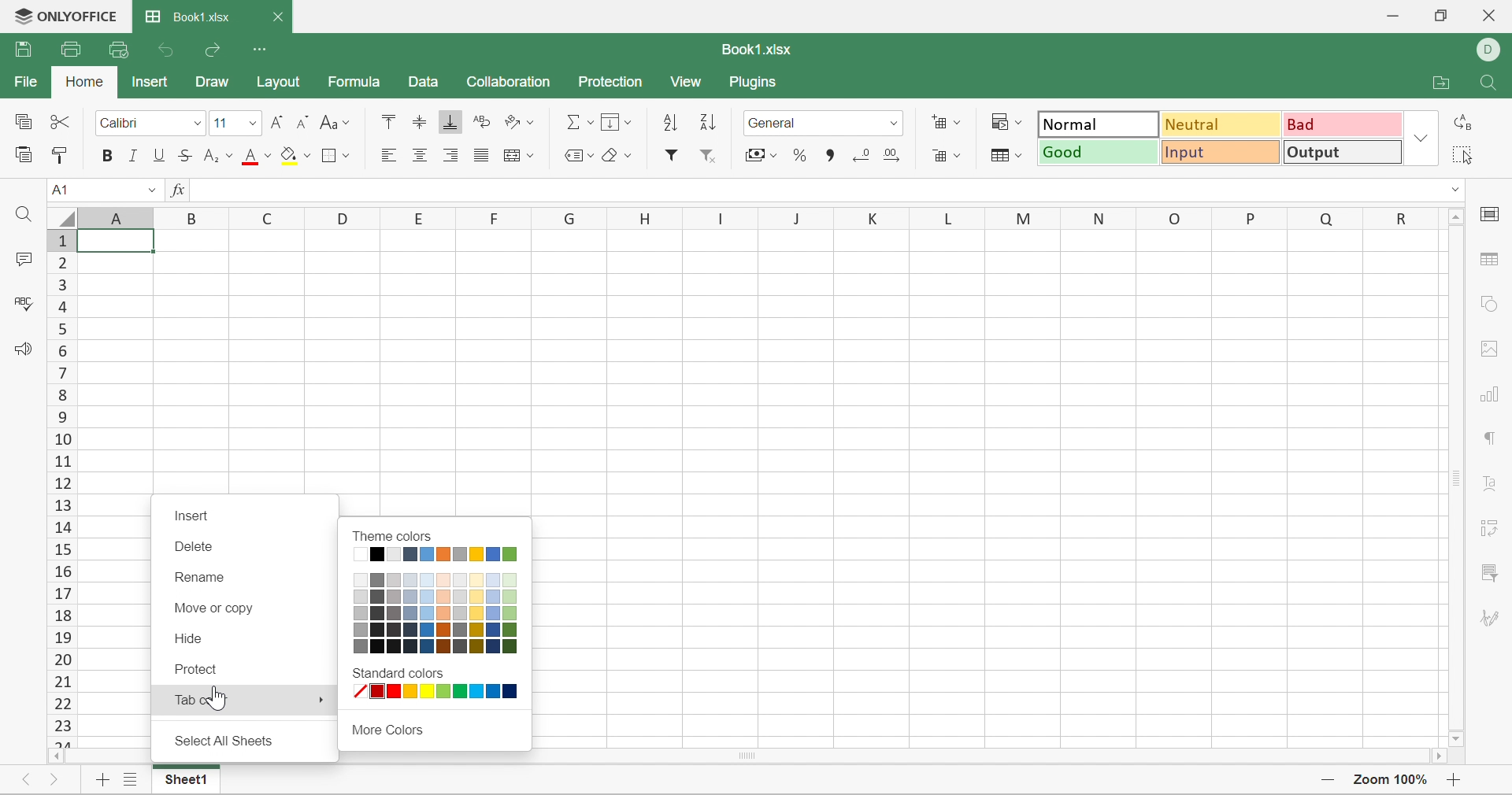 The height and width of the screenshot is (795, 1512). Describe the element at coordinates (65, 551) in the screenshot. I see `15` at that location.